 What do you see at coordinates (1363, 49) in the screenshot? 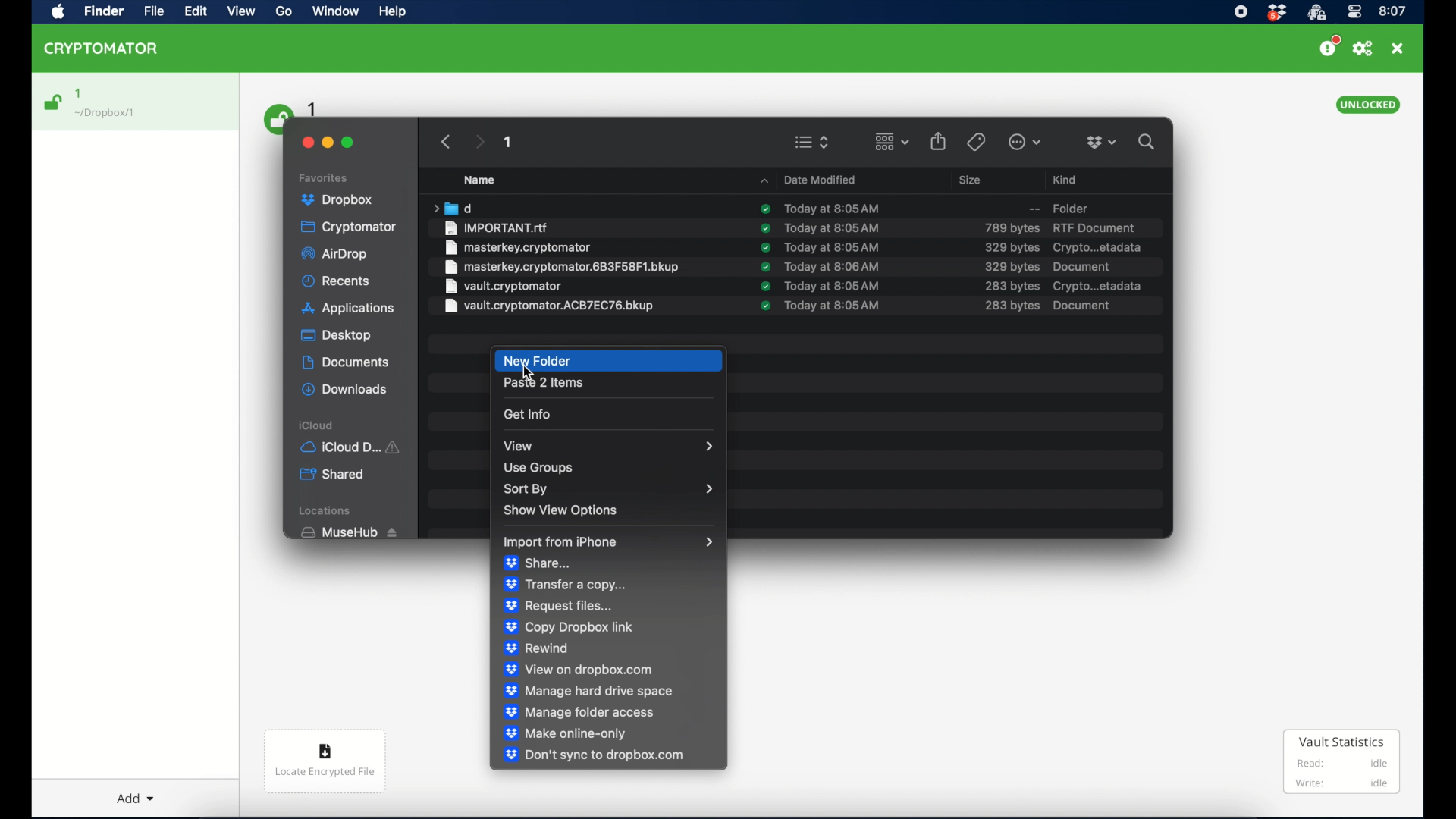
I see `preferences` at bounding box center [1363, 49].